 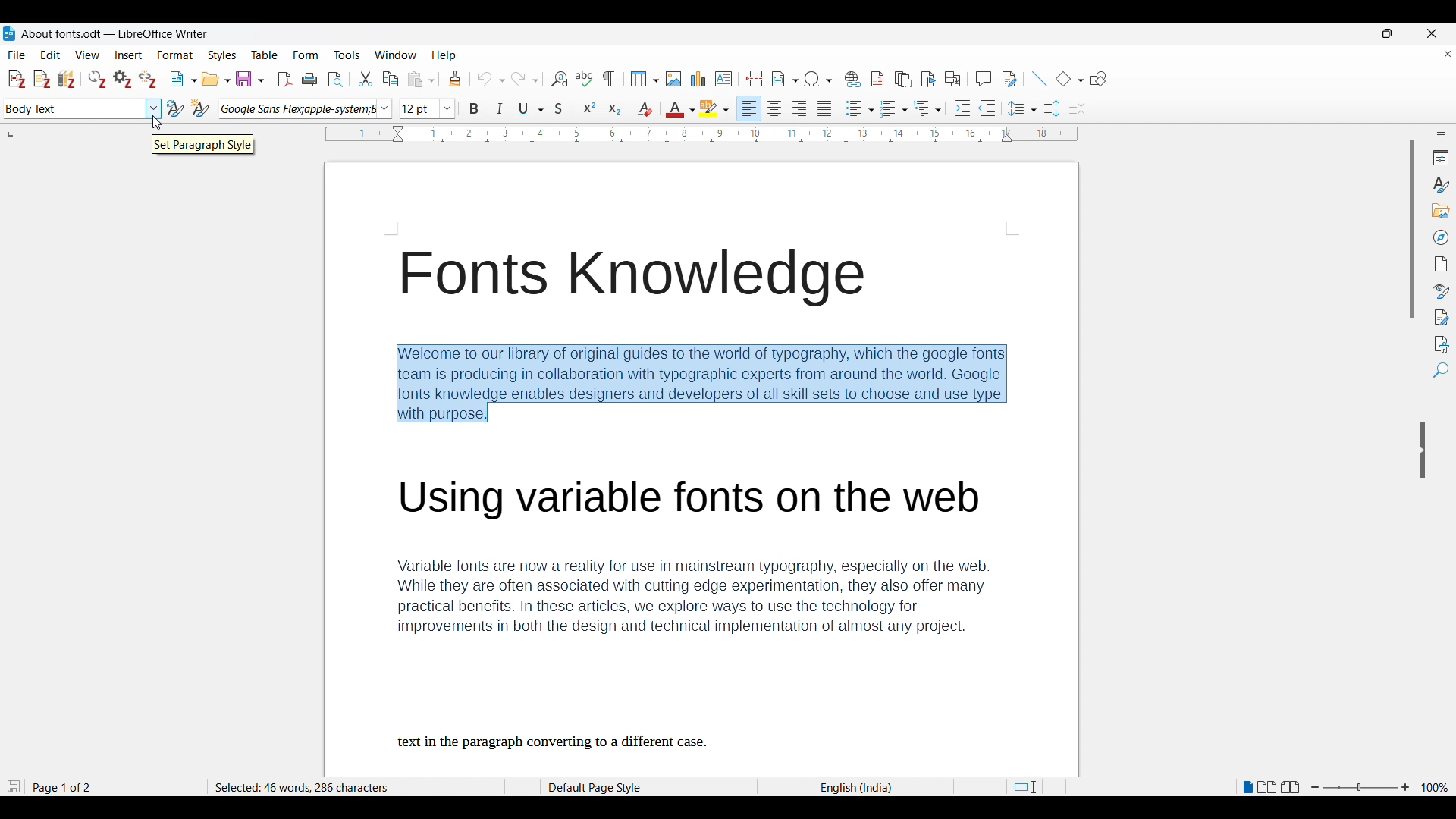 I want to click on Indicates changes that need to be saved, so click(x=14, y=786).